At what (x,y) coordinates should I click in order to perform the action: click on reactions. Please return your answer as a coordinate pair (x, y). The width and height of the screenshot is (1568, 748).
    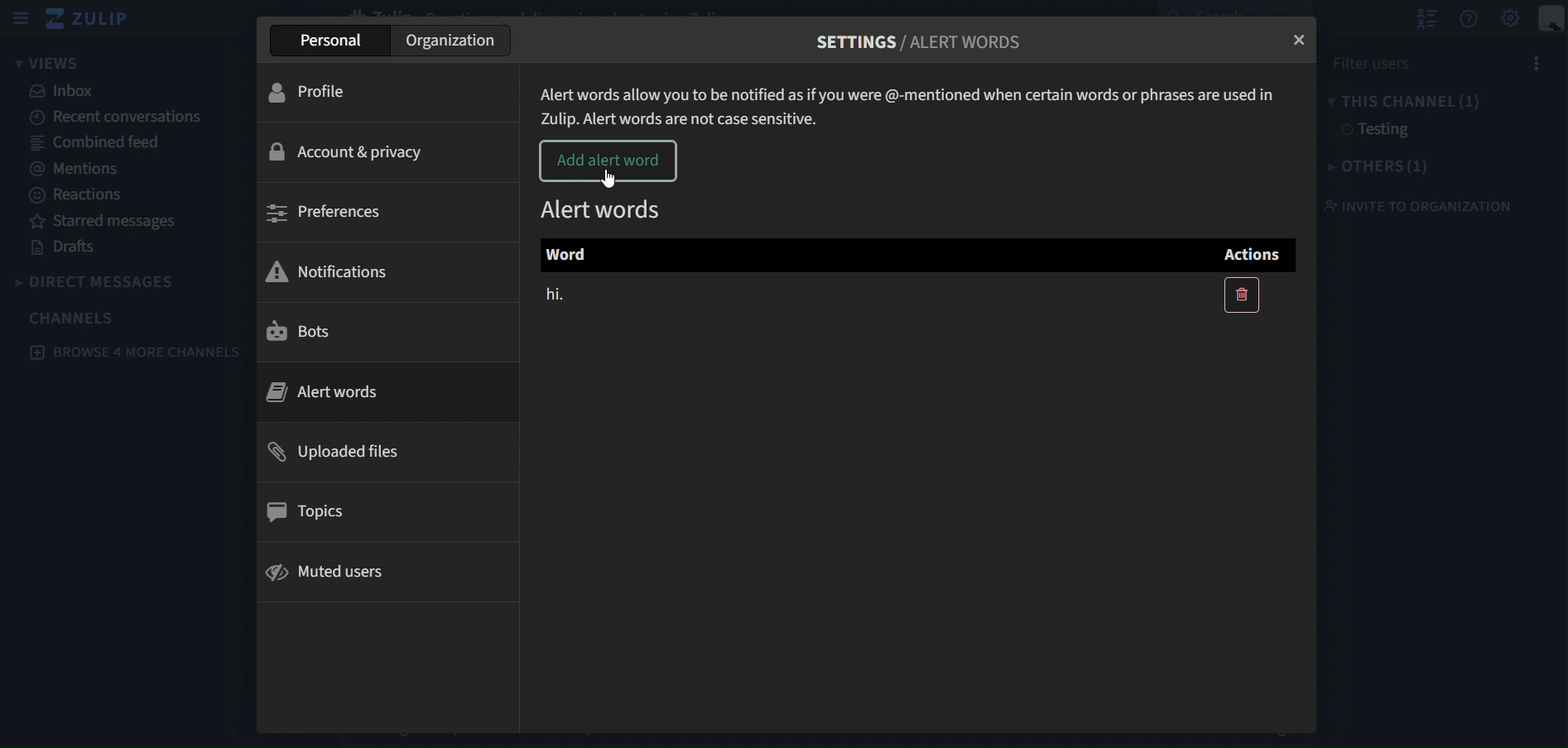
    Looking at the image, I should click on (78, 194).